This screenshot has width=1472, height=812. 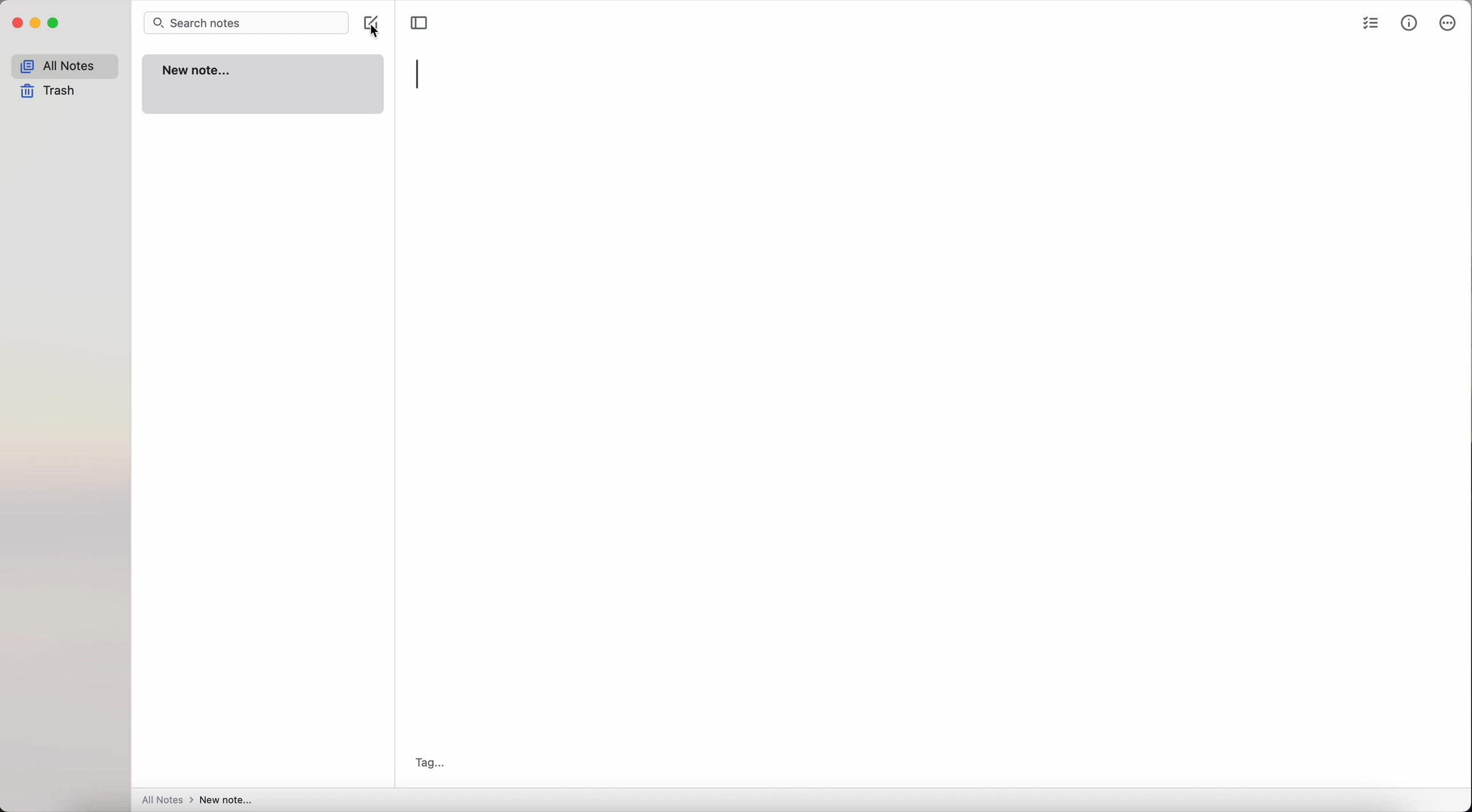 I want to click on check list, so click(x=1368, y=25).